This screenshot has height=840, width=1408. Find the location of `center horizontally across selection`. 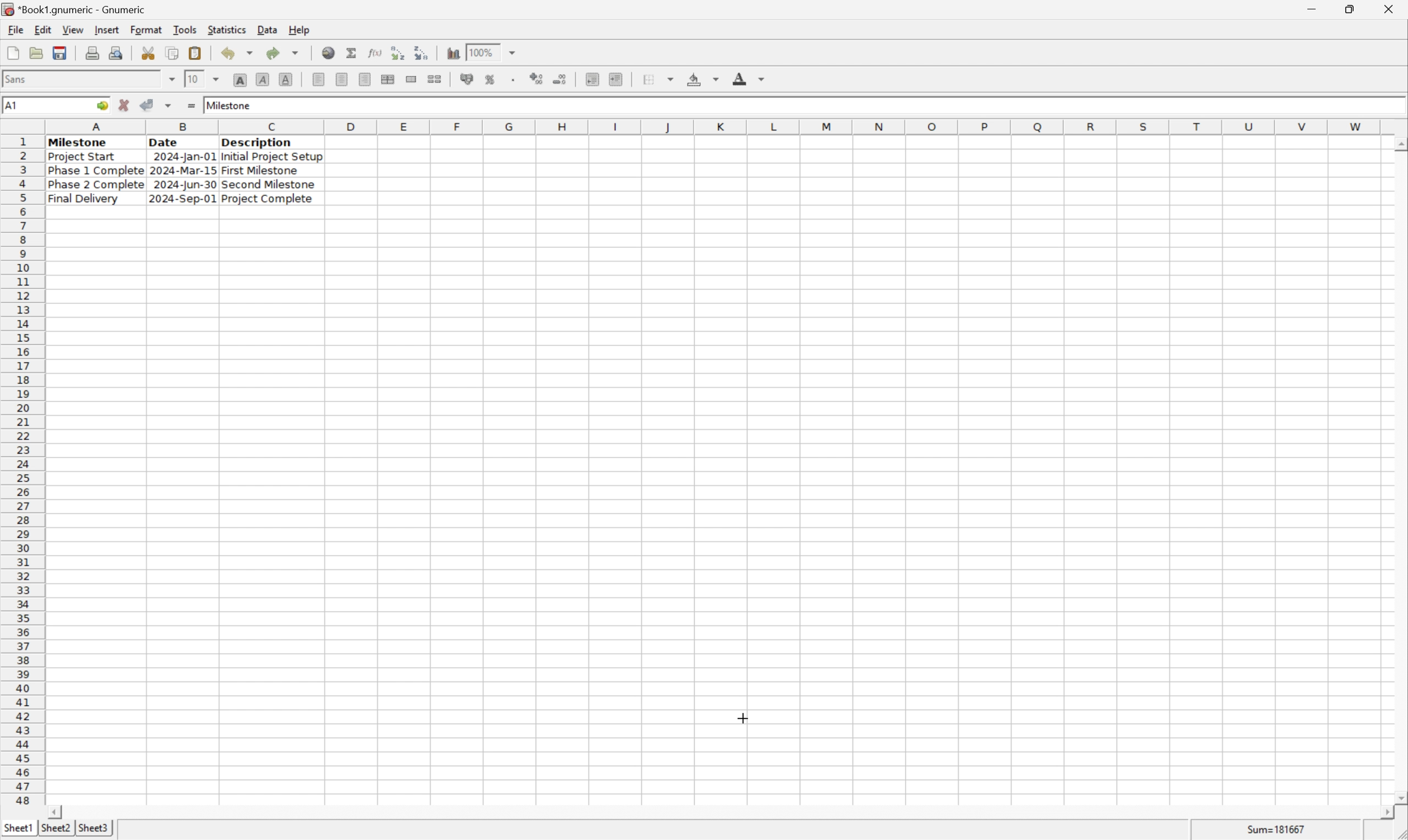

center horizontally across selection is located at coordinates (388, 79).